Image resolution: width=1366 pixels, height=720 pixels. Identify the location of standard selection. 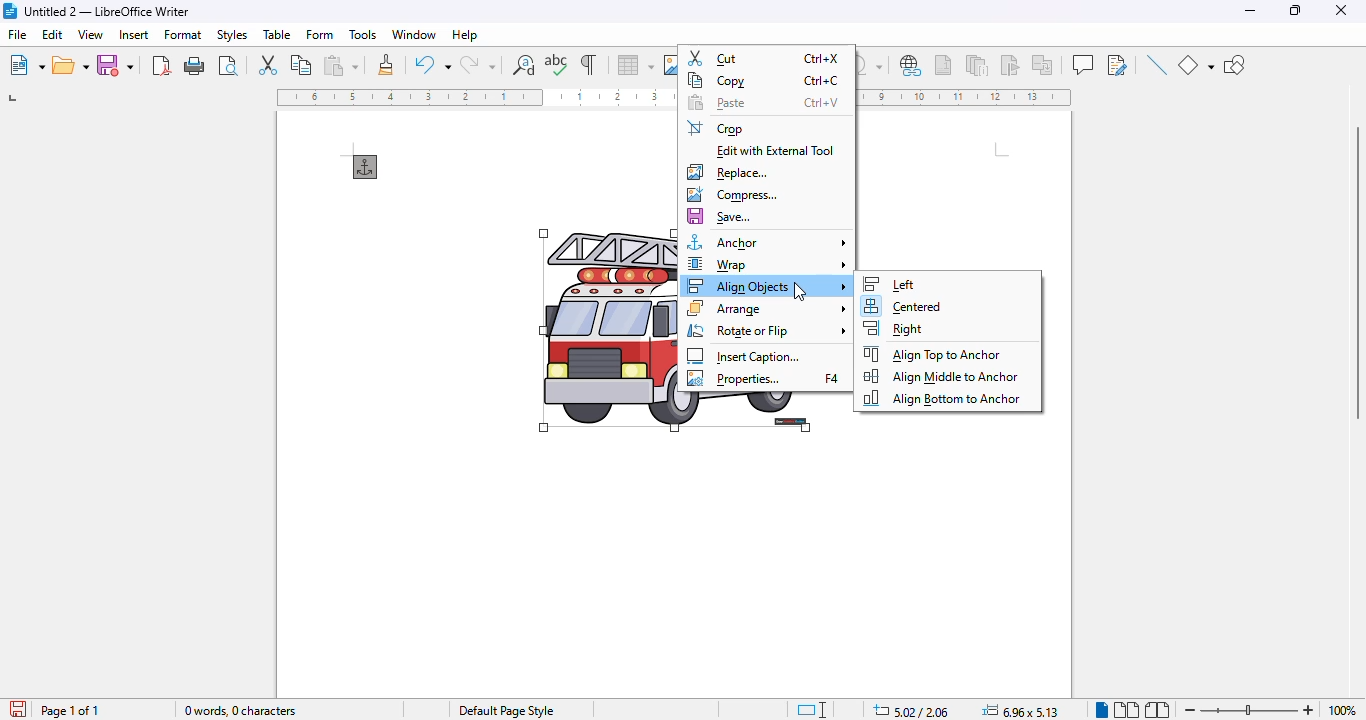
(812, 710).